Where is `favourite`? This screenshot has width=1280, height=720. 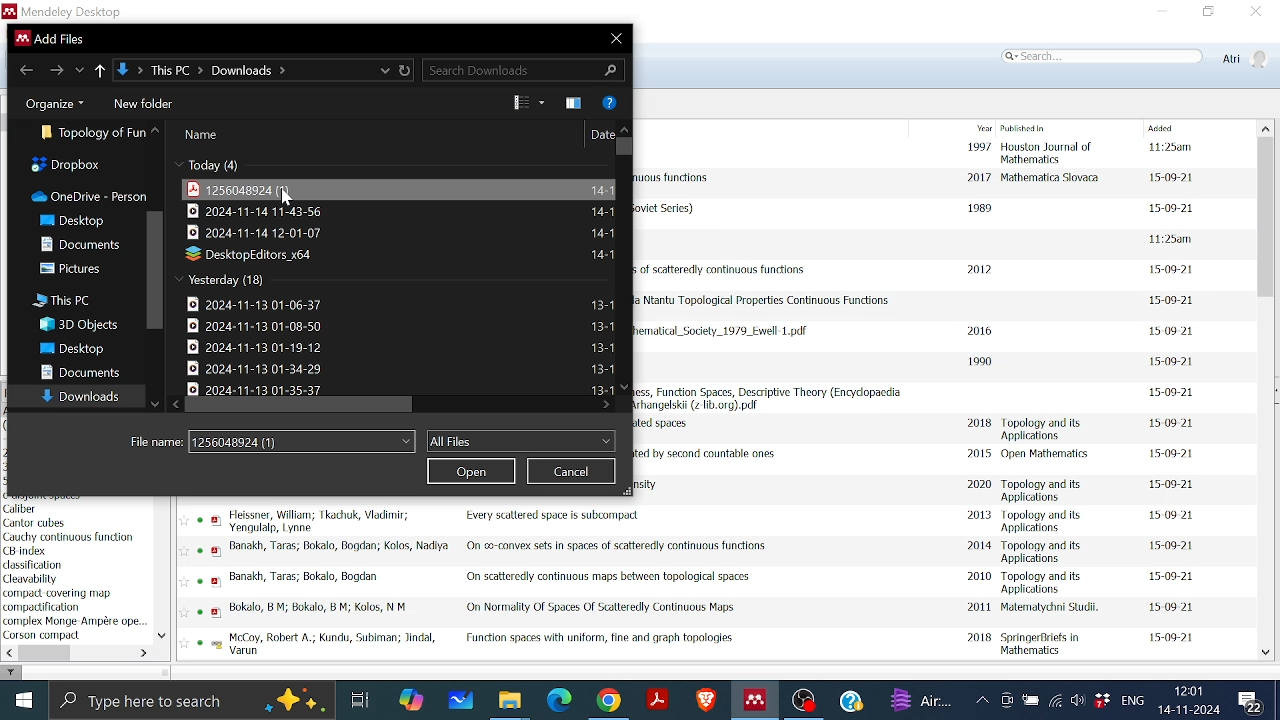 favourite is located at coordinates (186, 552).